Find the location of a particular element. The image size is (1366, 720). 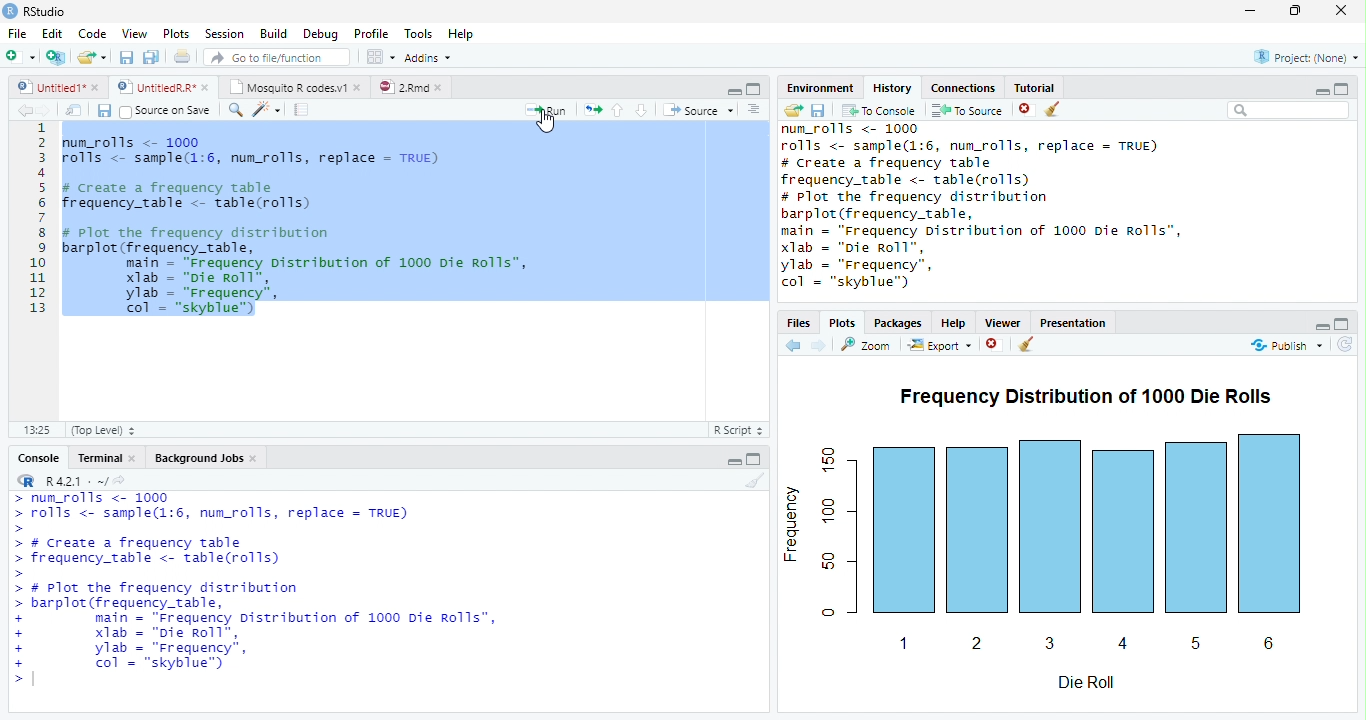

(Top Level) is located at coordinates (103, 430).